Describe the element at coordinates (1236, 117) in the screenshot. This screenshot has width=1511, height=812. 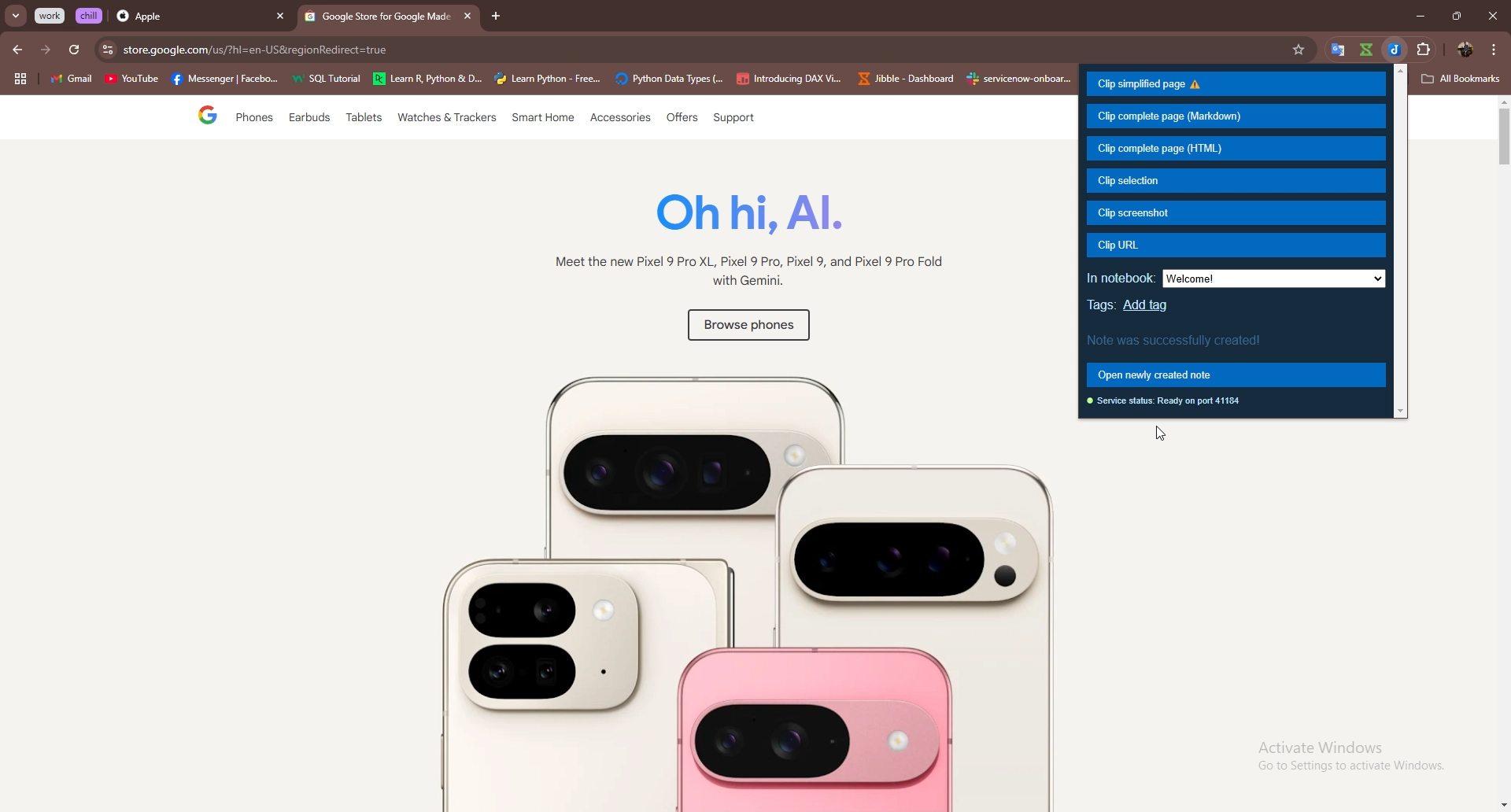
I see `clip complete page (markdown)` at that location.